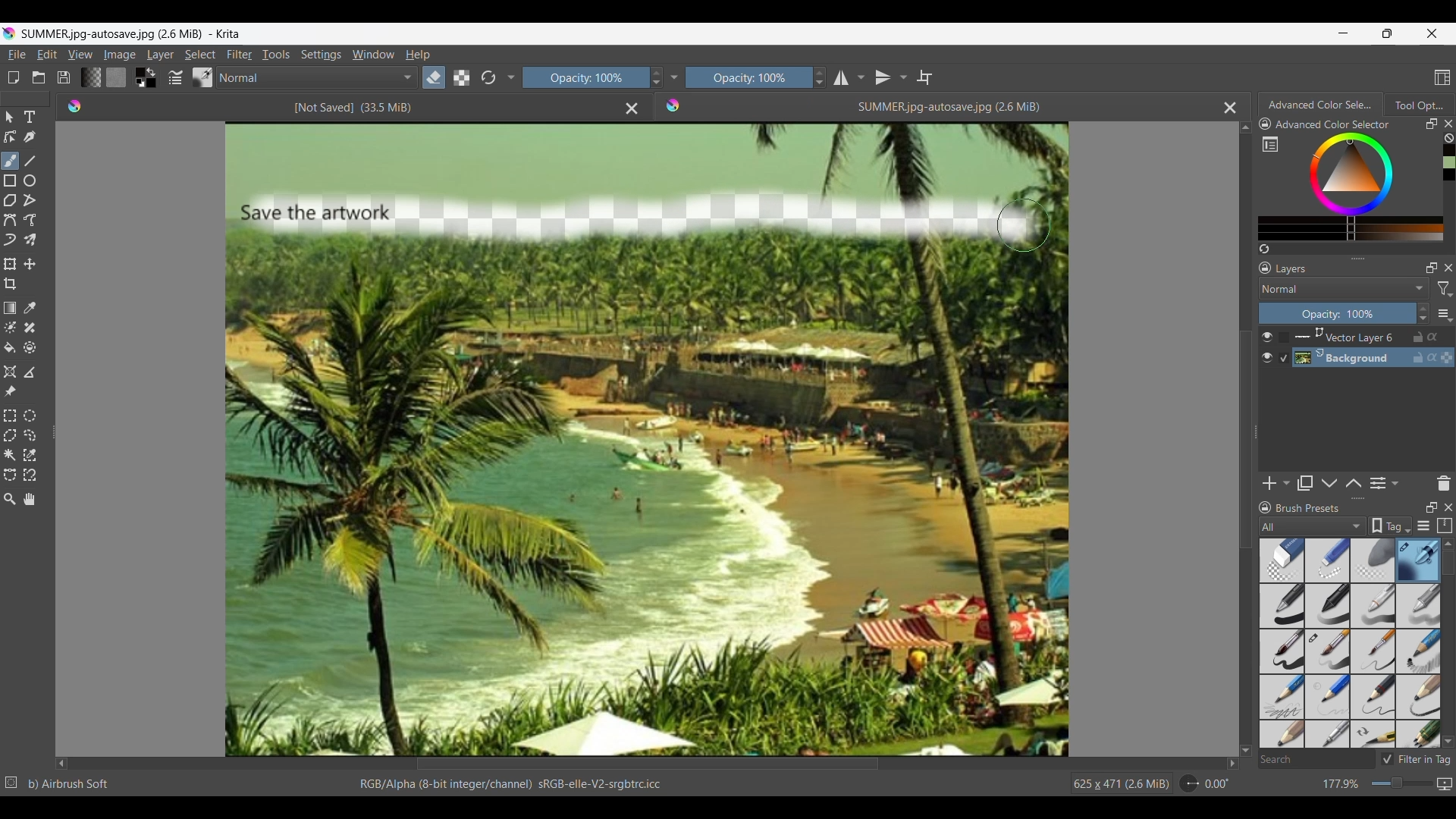  Describe the element at coordinates (674, 105) in the screenshot. I see `Logo` at that location.